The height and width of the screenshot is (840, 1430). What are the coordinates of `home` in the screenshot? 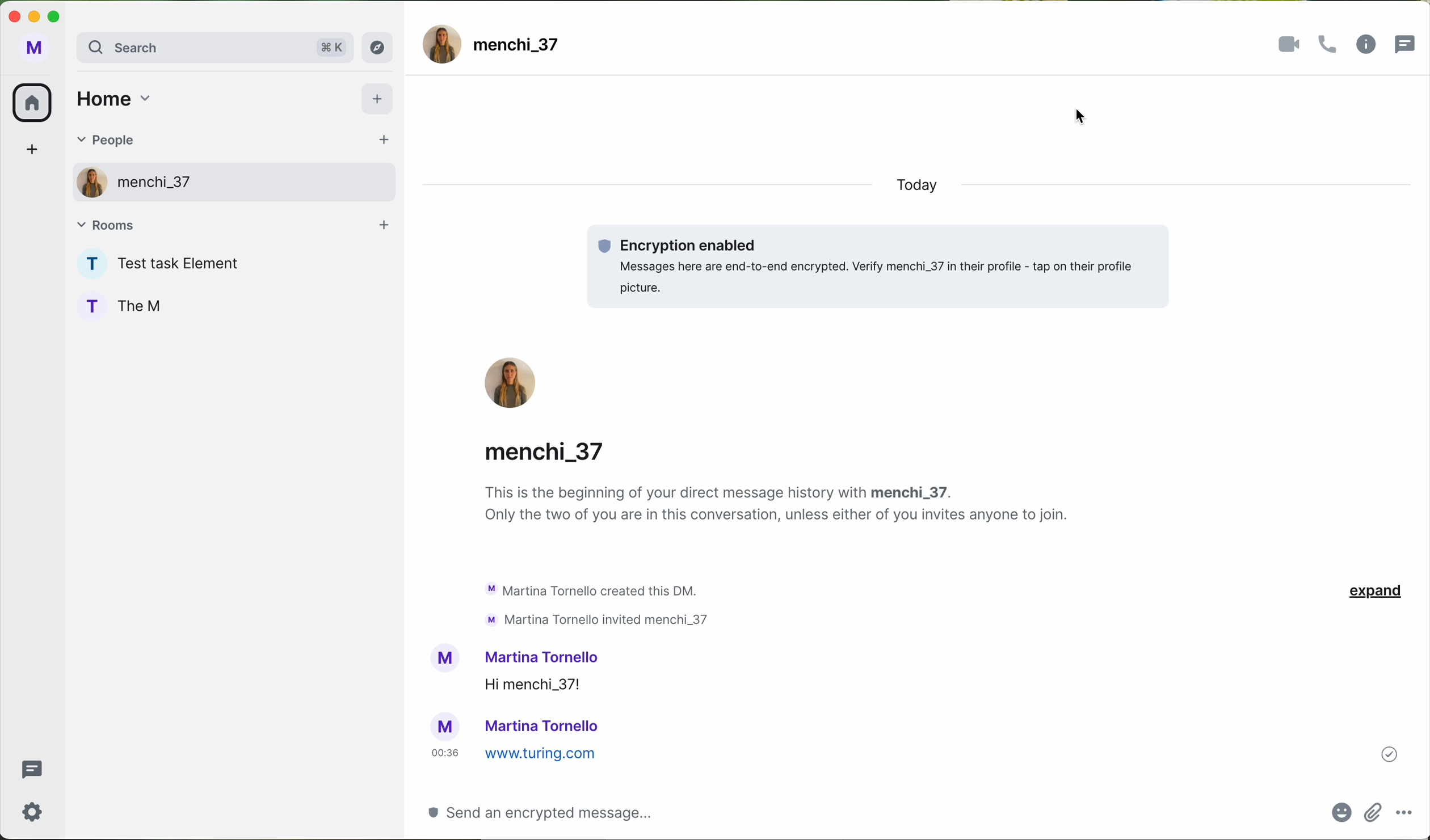 It's located at (112, 98).